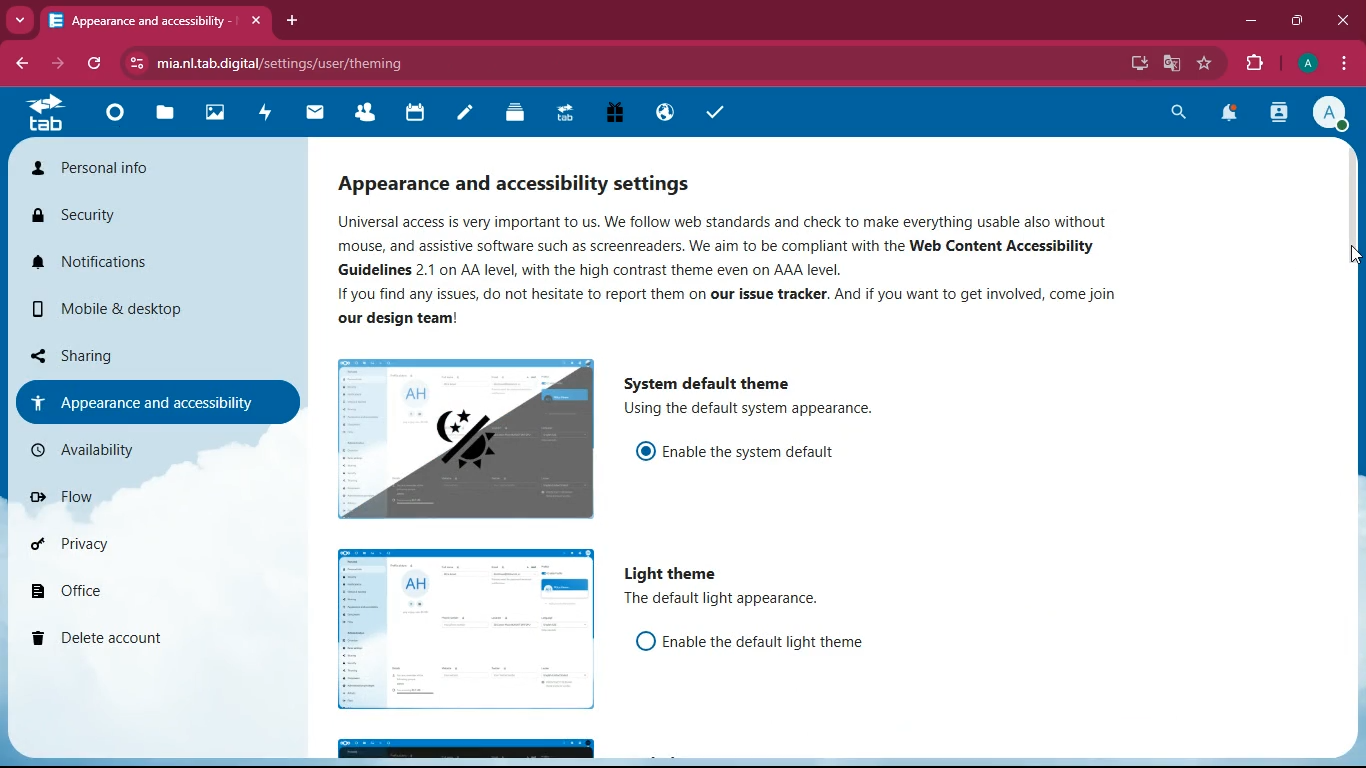 The width and height of the screenshot is (1366, 768). I want to click on favourite, so click(1205, 63).